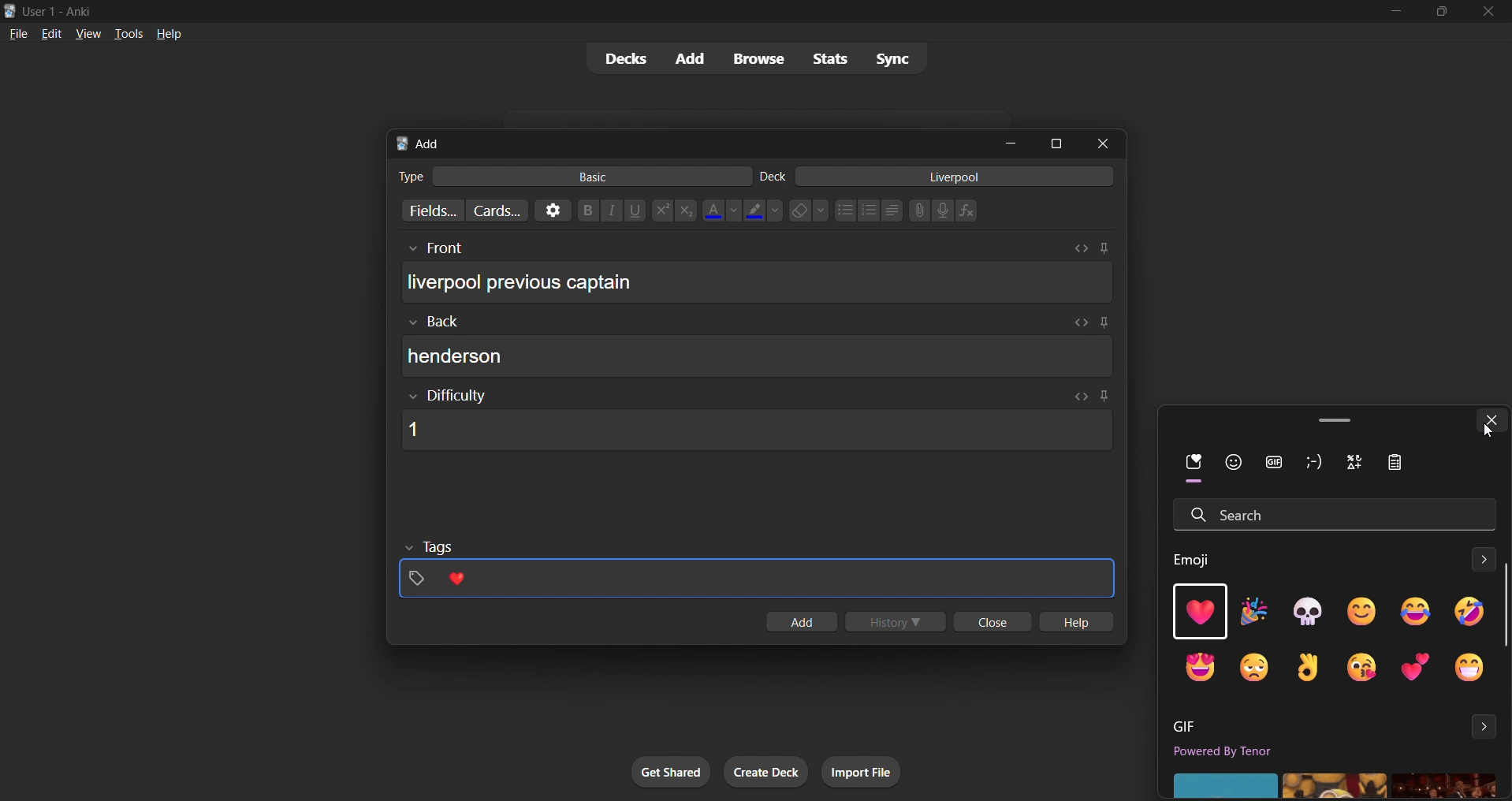 The width and height of the screenshot is (1512, 801). Describe the element at coordinates (1479, 561) in the screenshot. I see `expand` at that location.